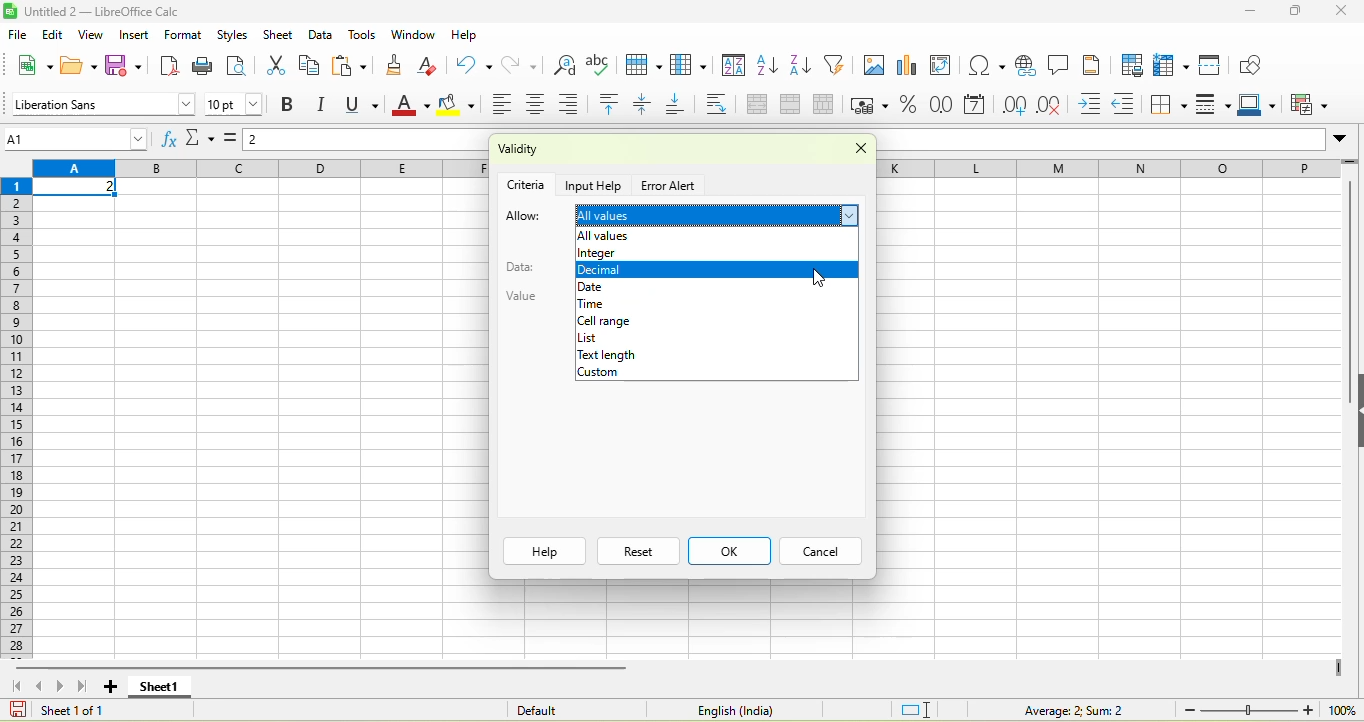 The height and width of the screenshot is (722, 1364). What do you see at coordinates (411, 106) in the screenshot?
I see `font color` at bounding box center [411, 106].